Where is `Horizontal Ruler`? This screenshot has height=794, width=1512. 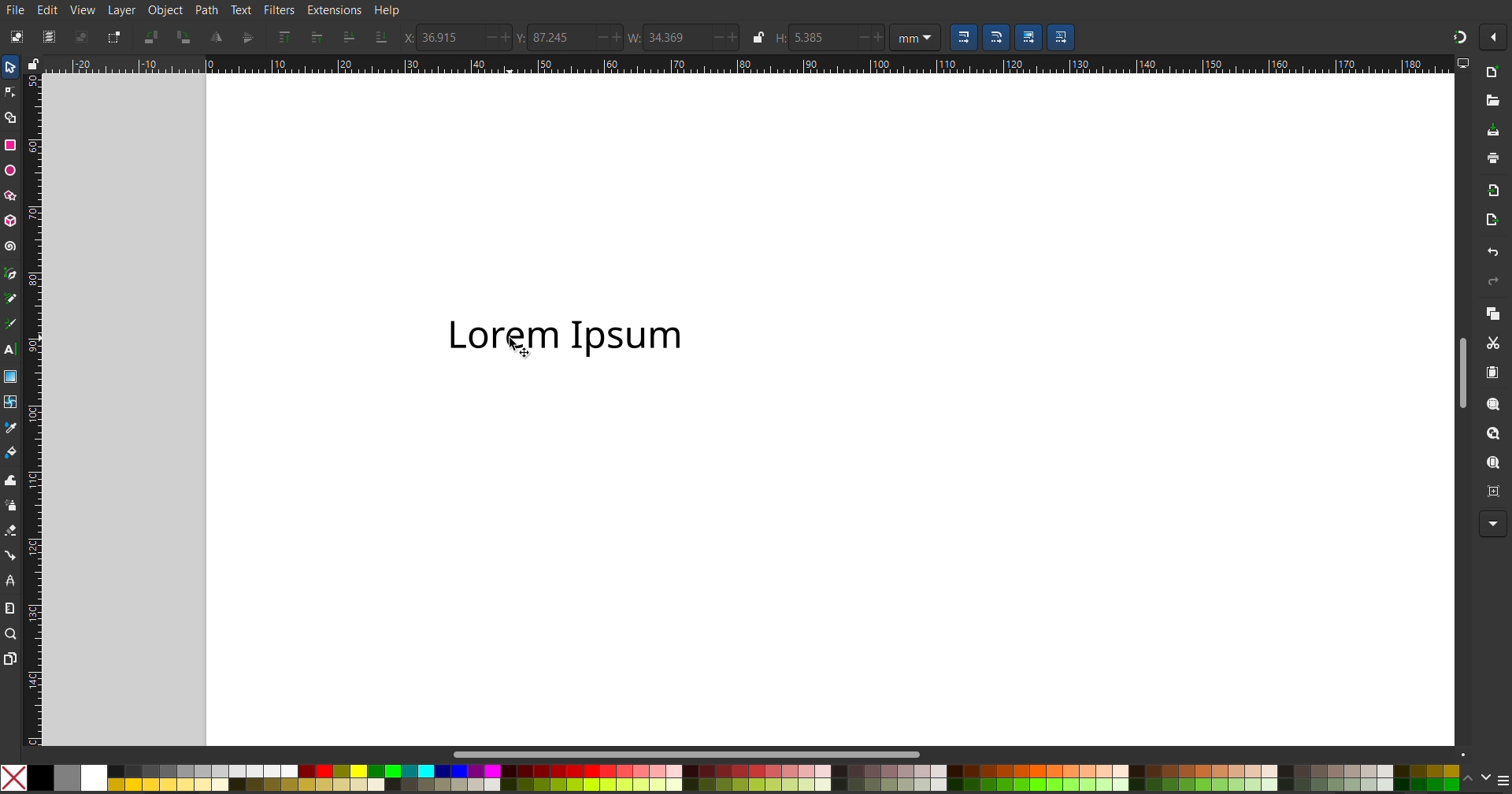 Horizontal Ruler is located at coordinates (813, 65).